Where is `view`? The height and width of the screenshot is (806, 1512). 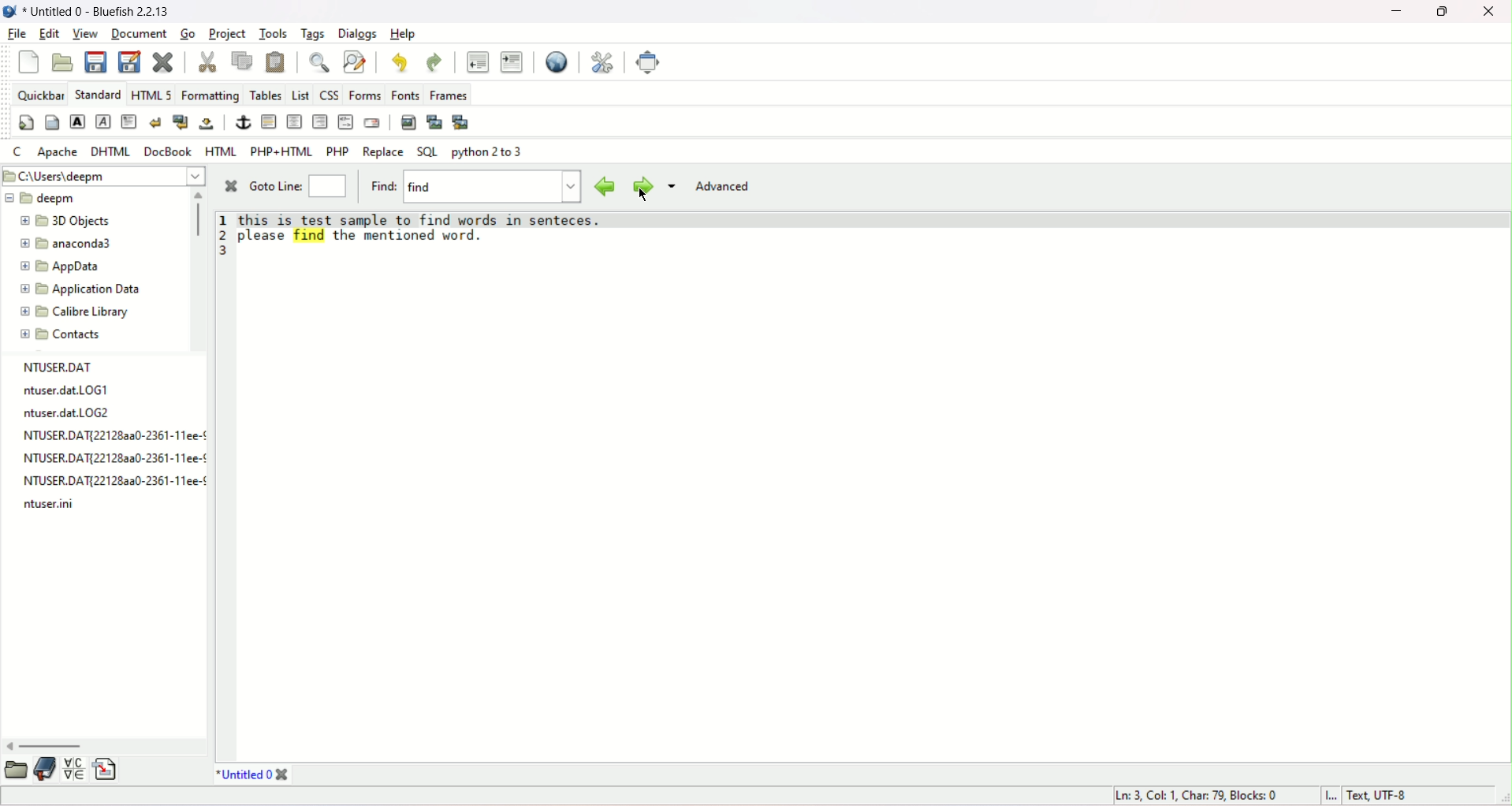
view is located at coordinates (86, 33).